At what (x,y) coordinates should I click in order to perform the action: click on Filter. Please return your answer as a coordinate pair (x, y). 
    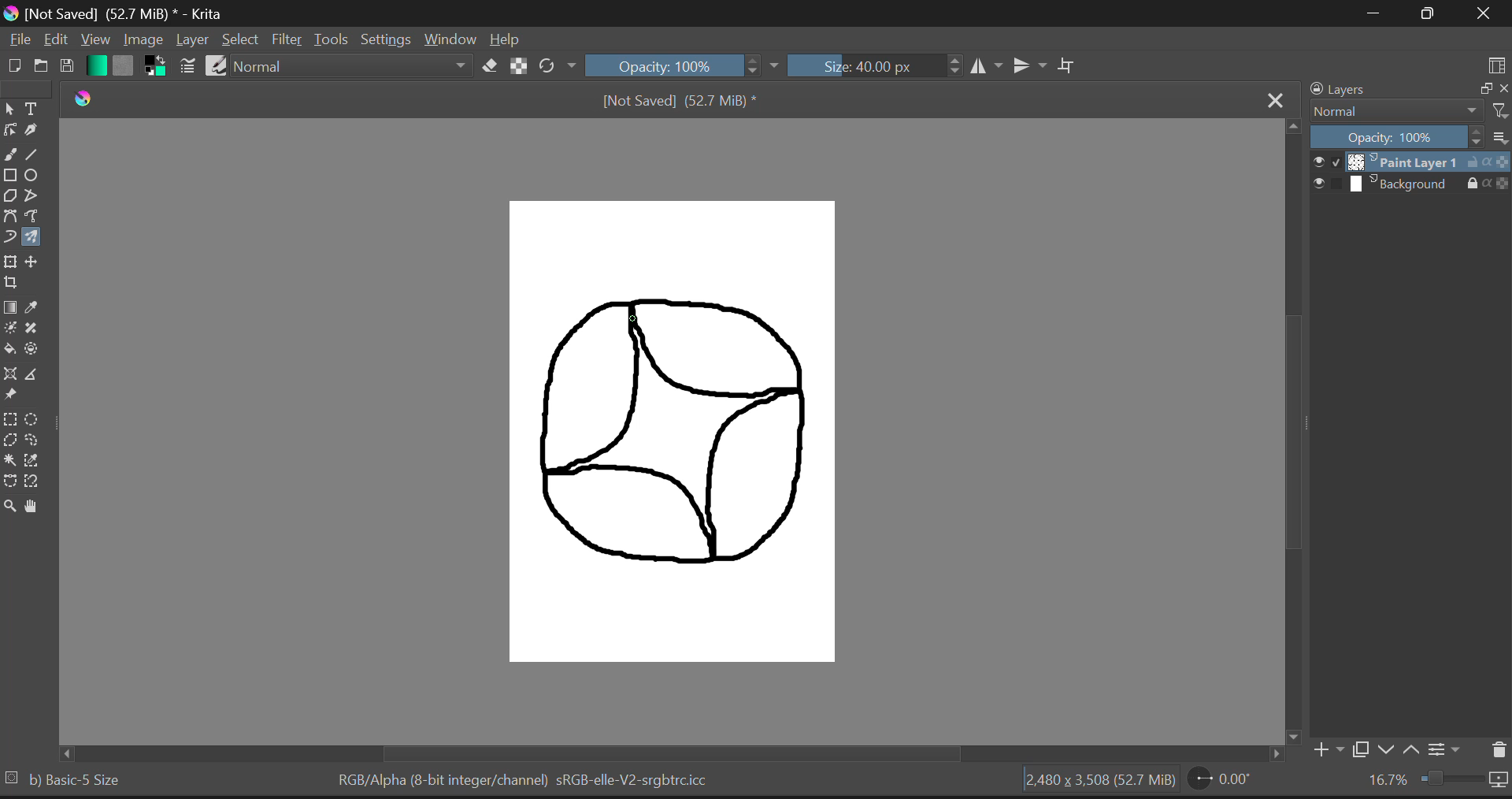
    Looking at the image, I should click on (288, 40).